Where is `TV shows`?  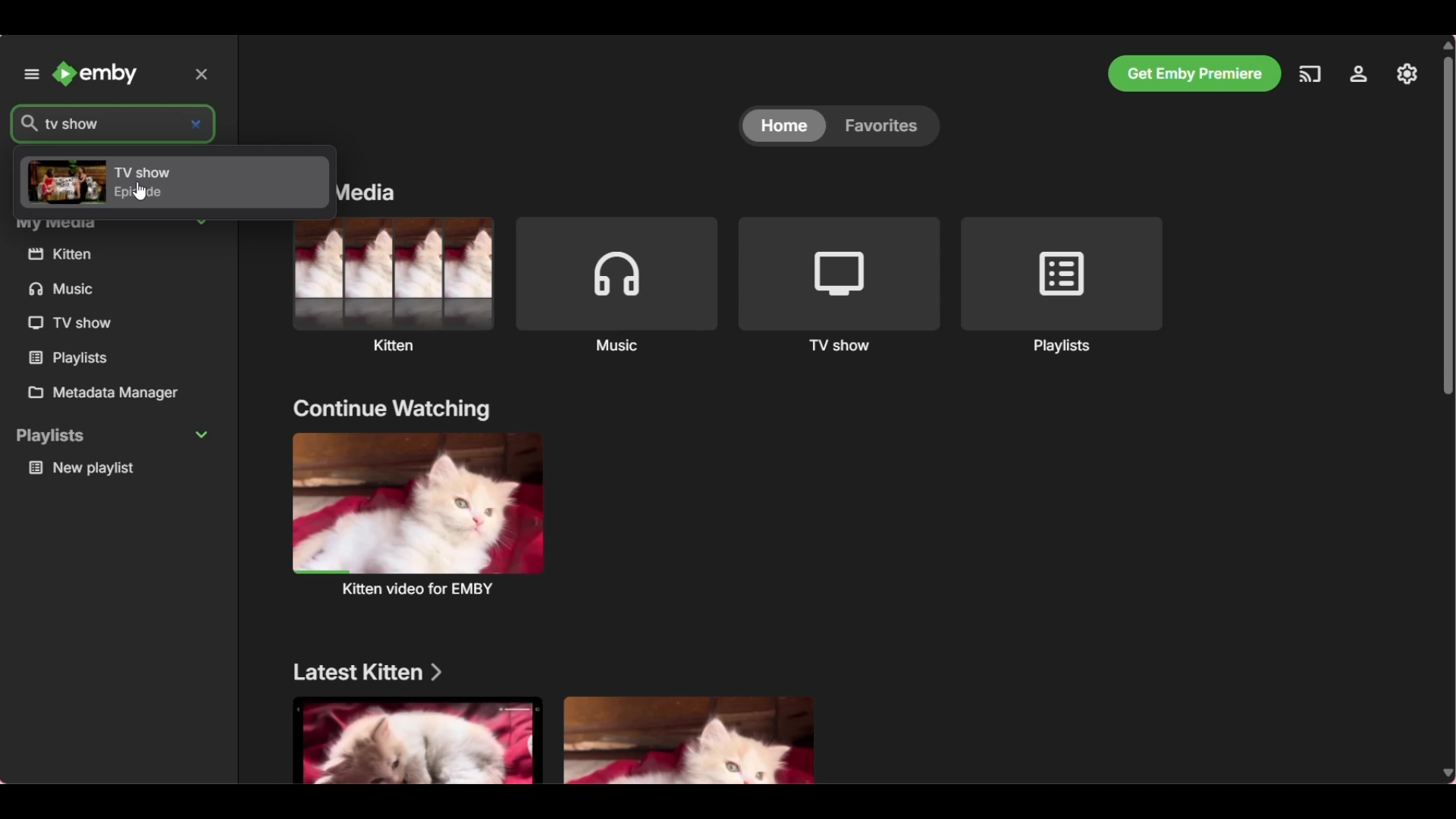
TV shows is located at coordinates (838, 284).